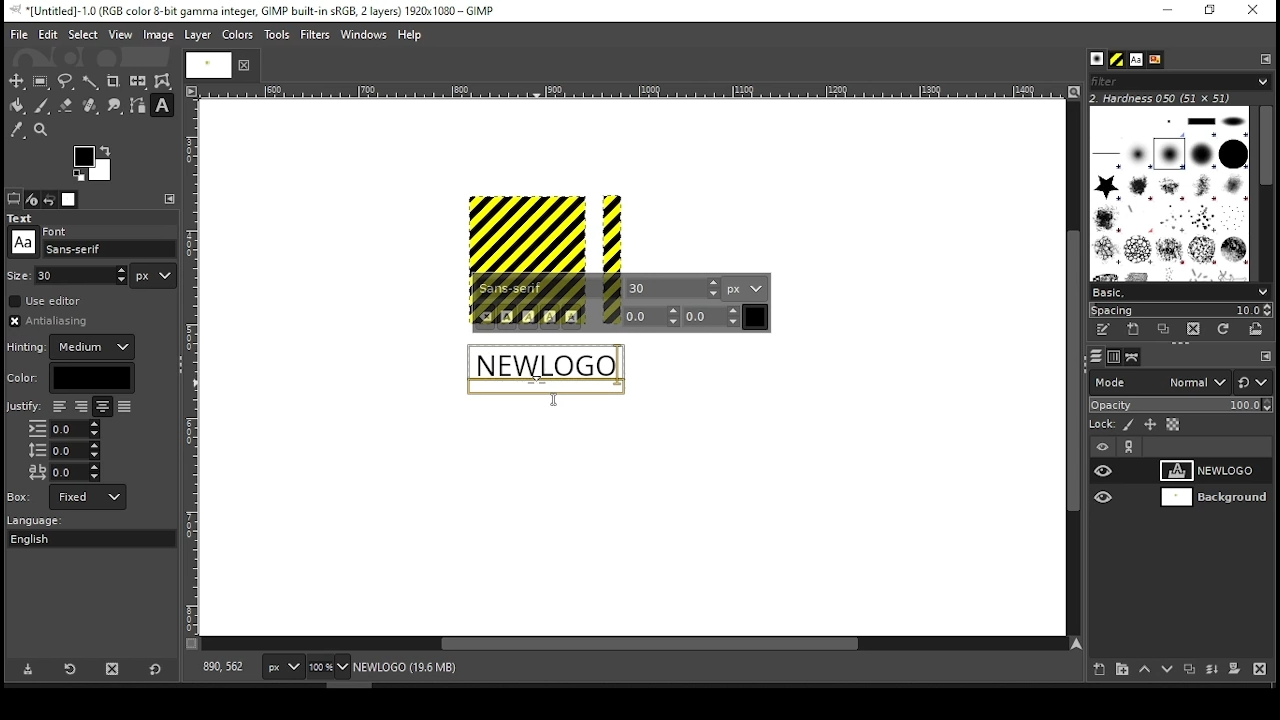 Image resolution: width=1280 pixels, height=720 pixels. What do you see at coordinates (88, 497) in the screenshot?
I see `box ` at bounding box center [88, 497].